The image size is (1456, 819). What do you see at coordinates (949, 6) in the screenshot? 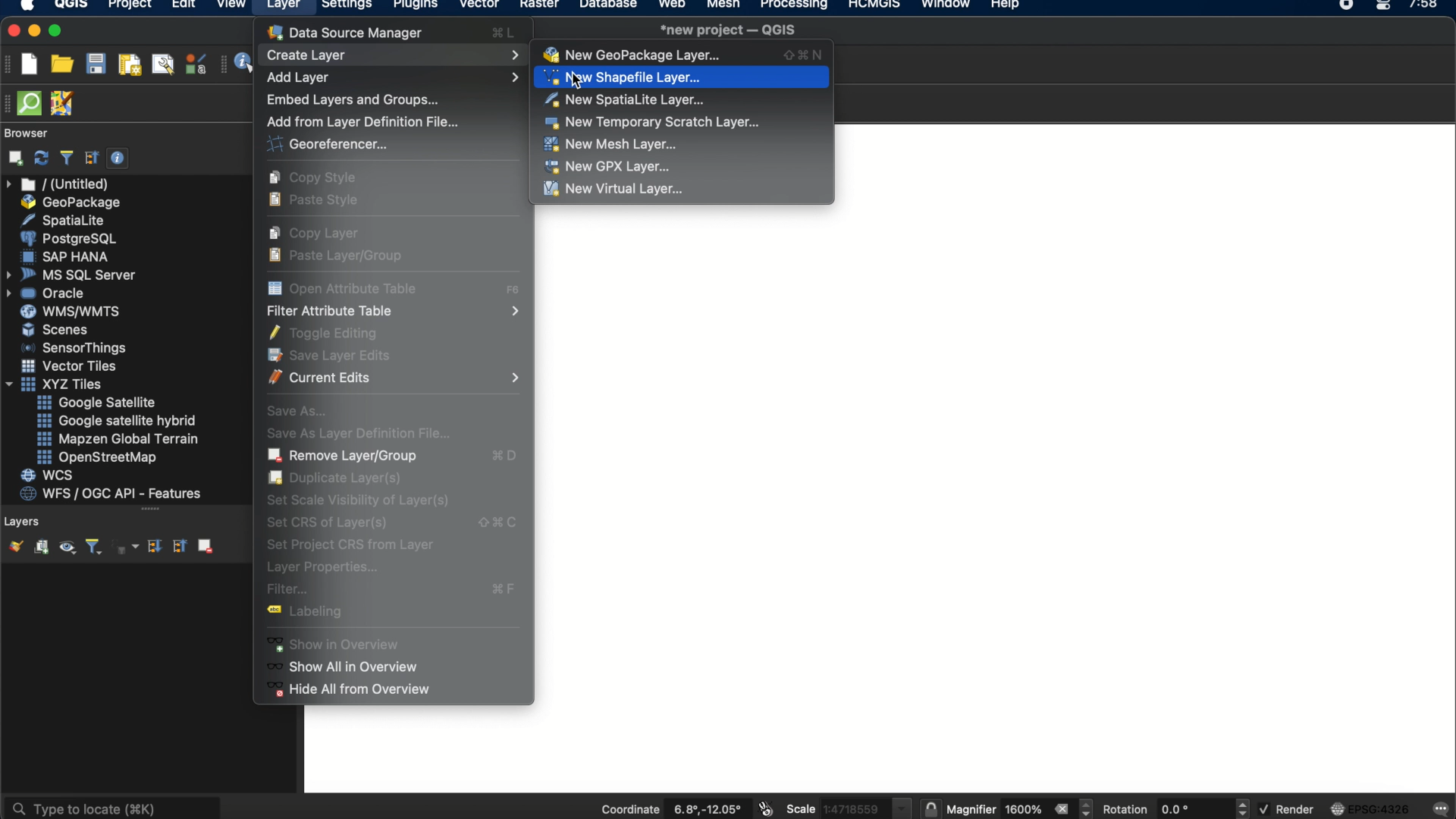
I see `window` at bounding box center [949, 6].